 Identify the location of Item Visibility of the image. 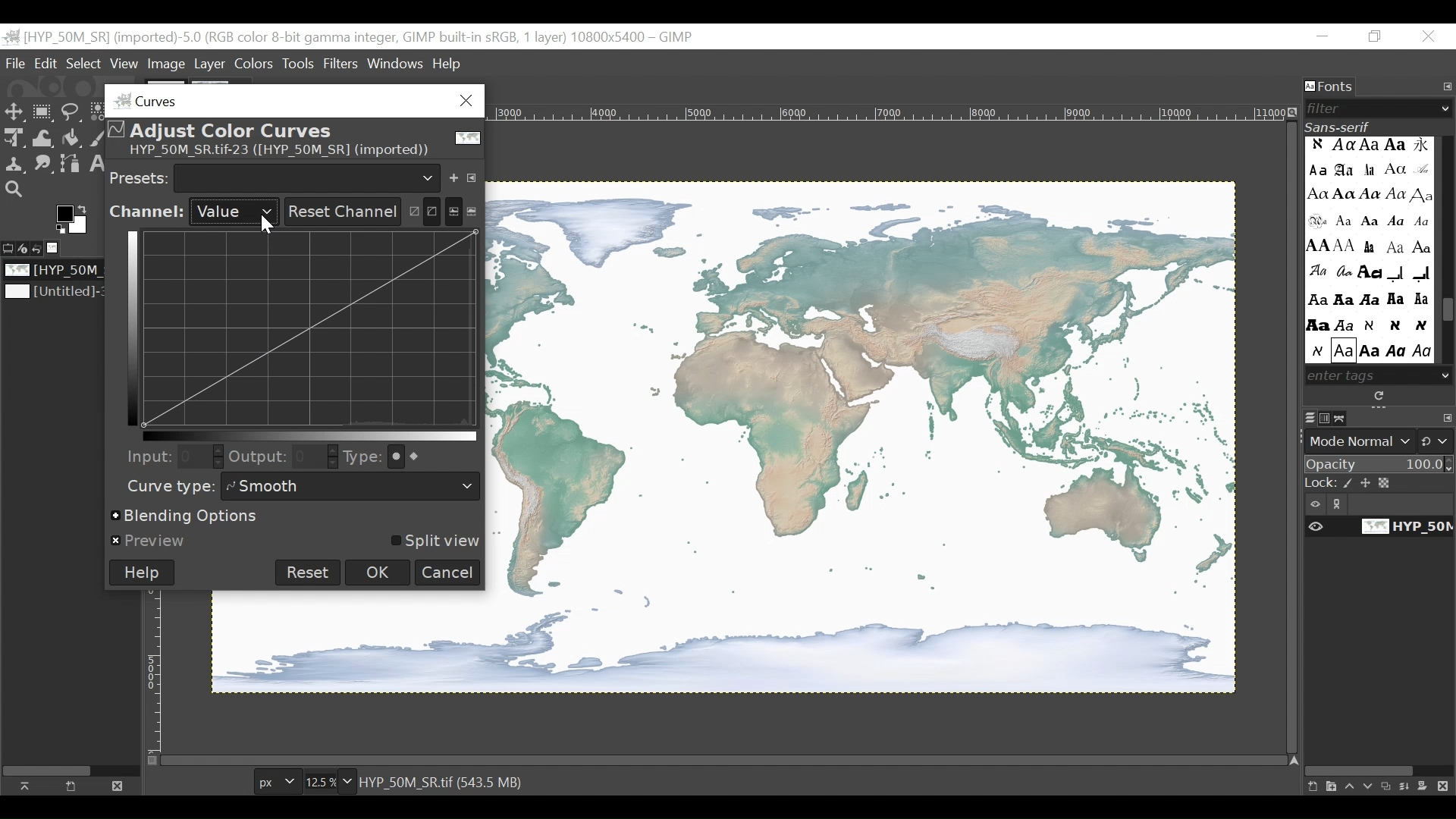
(1376, 527).